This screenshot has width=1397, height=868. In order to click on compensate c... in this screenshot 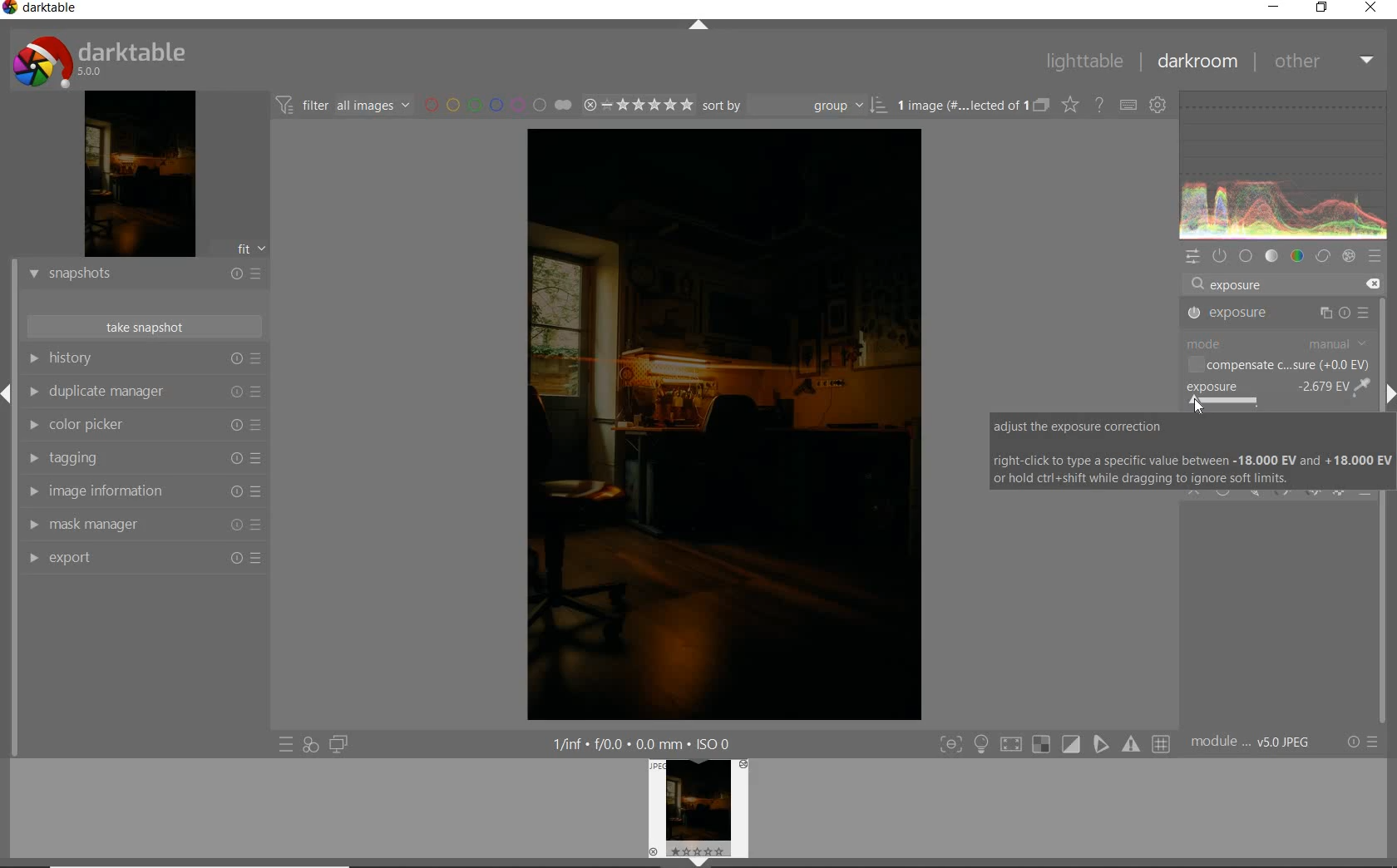, I will do `click(1281, 365)`.